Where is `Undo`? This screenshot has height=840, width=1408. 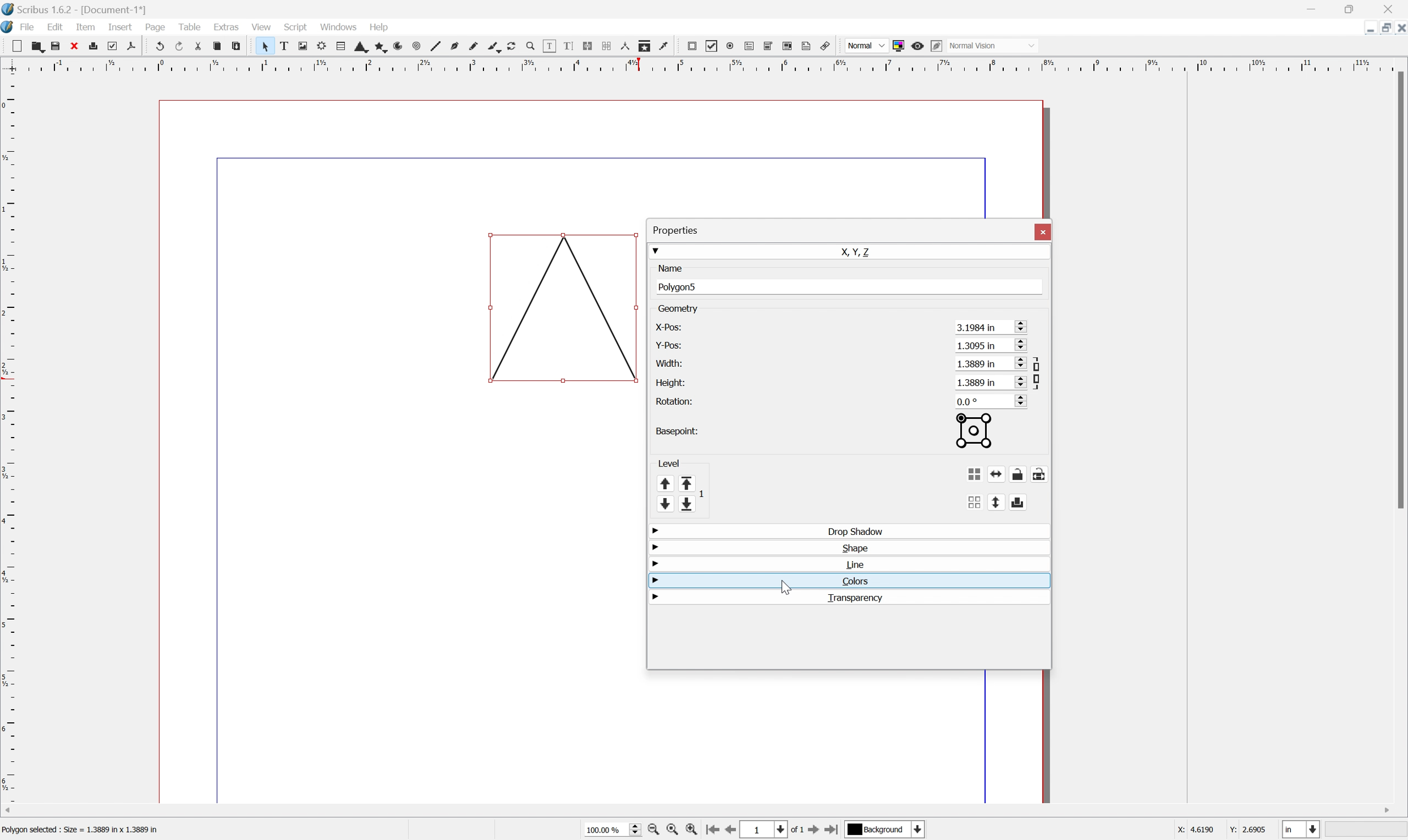
Undo is located at coordinates (157, 44).